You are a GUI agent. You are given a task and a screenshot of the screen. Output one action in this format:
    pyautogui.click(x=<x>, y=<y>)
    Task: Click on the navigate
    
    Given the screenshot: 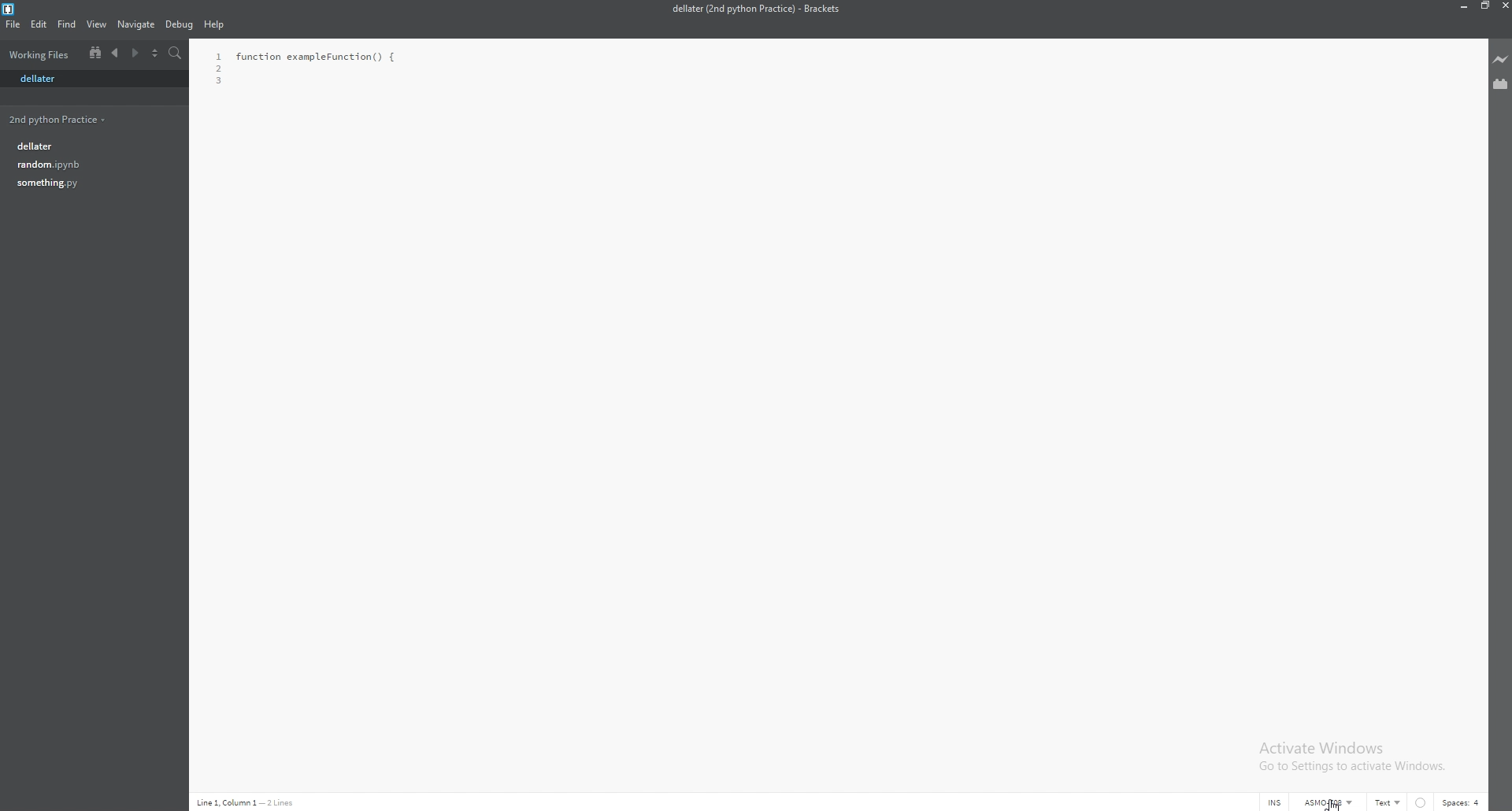 What is the action you would take?
    pyautogui.click(x=137, y=24)
    